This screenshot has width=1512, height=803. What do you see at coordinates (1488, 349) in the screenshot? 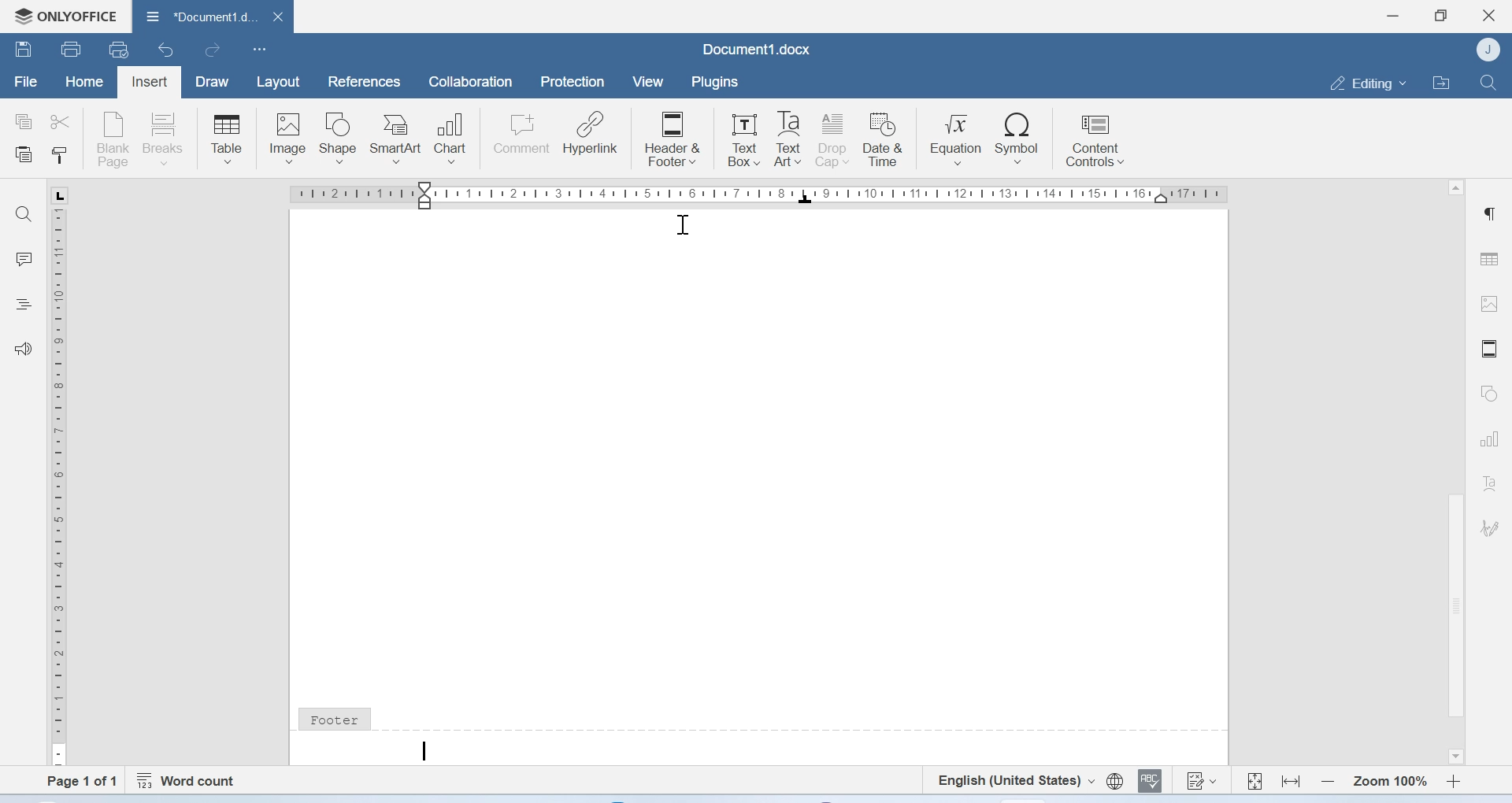
I see `Header and footer` at bounding box center [1488, 349].